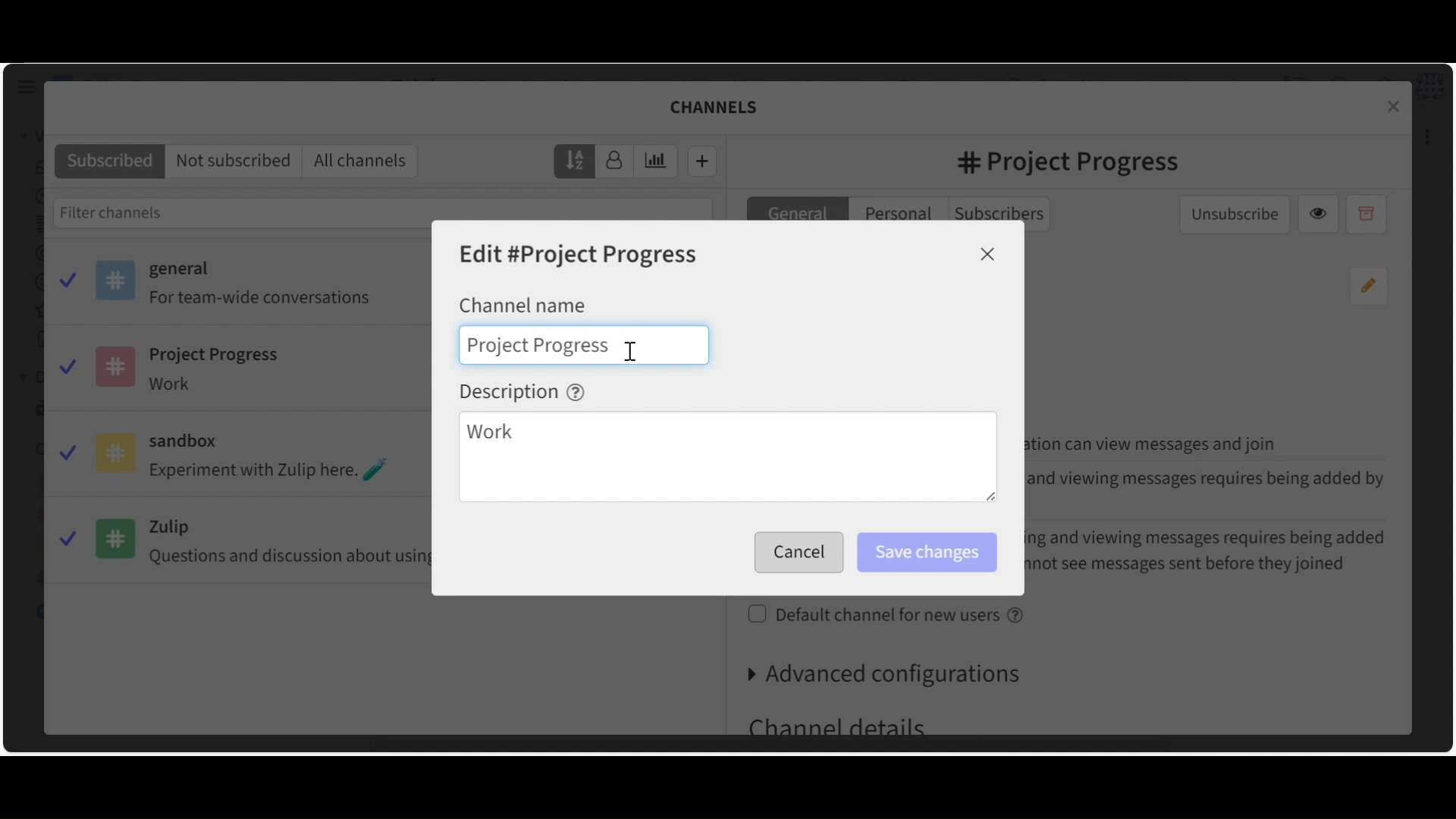 The height and width of the screenshot is (819, 1456). I want to click on Channel name Field, so click(536, 345).